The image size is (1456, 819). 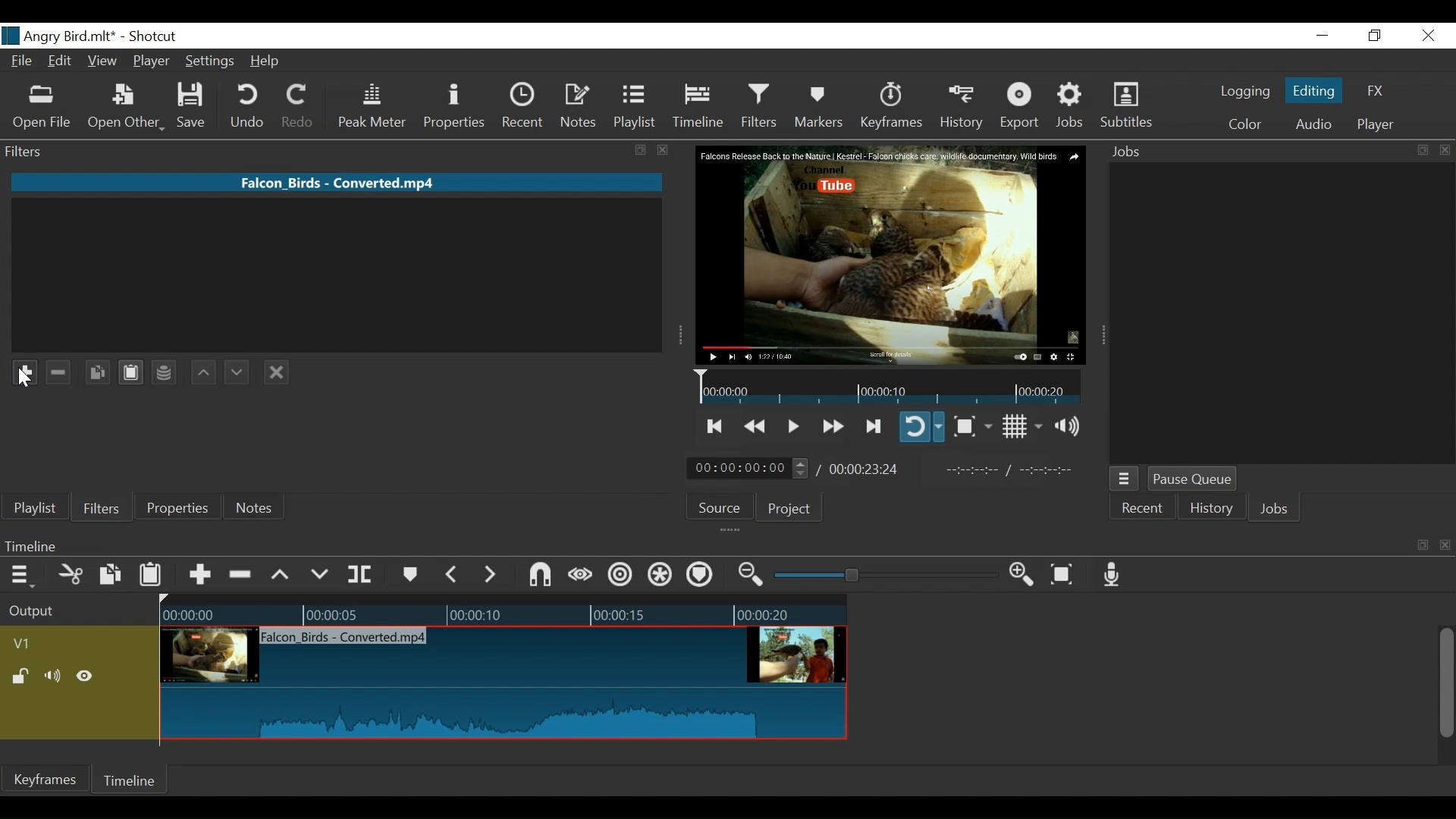 I want to click on Pause Queue, so click(x=1194, y=480).